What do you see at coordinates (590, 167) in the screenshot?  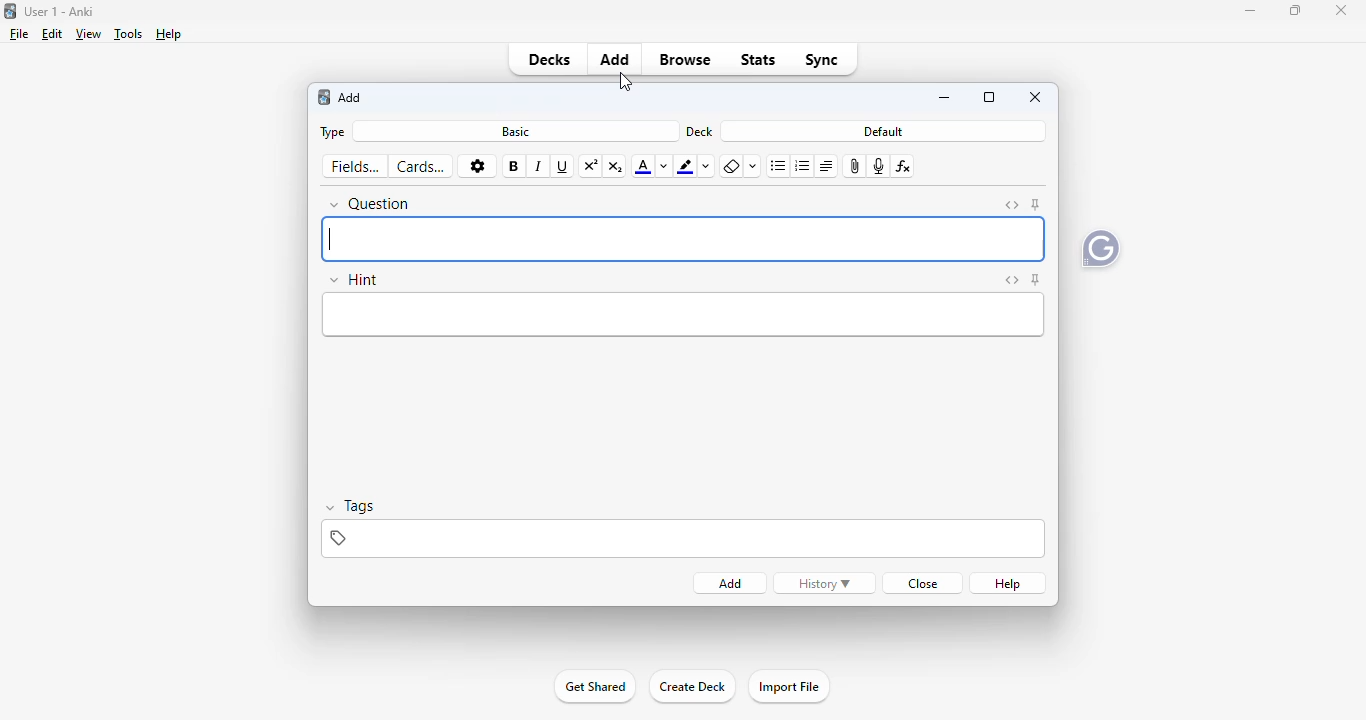 I see `superscript` at bounding box center [590, 167].